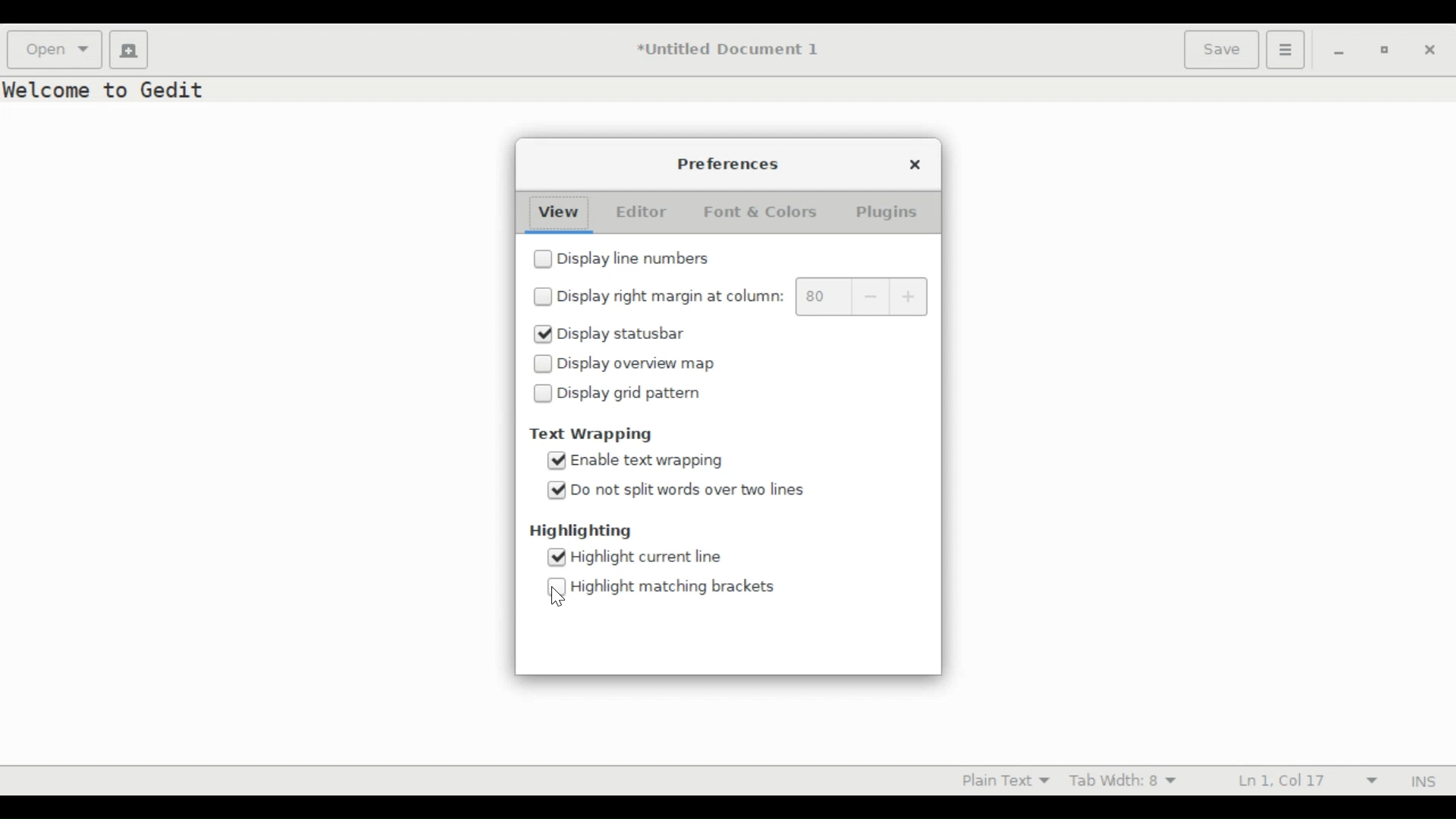 The width and height of the screenshot is (1456, 819). Describe the element at coordinates (639, 335) in the screenshot. I see `Display Statusbar` at that location.